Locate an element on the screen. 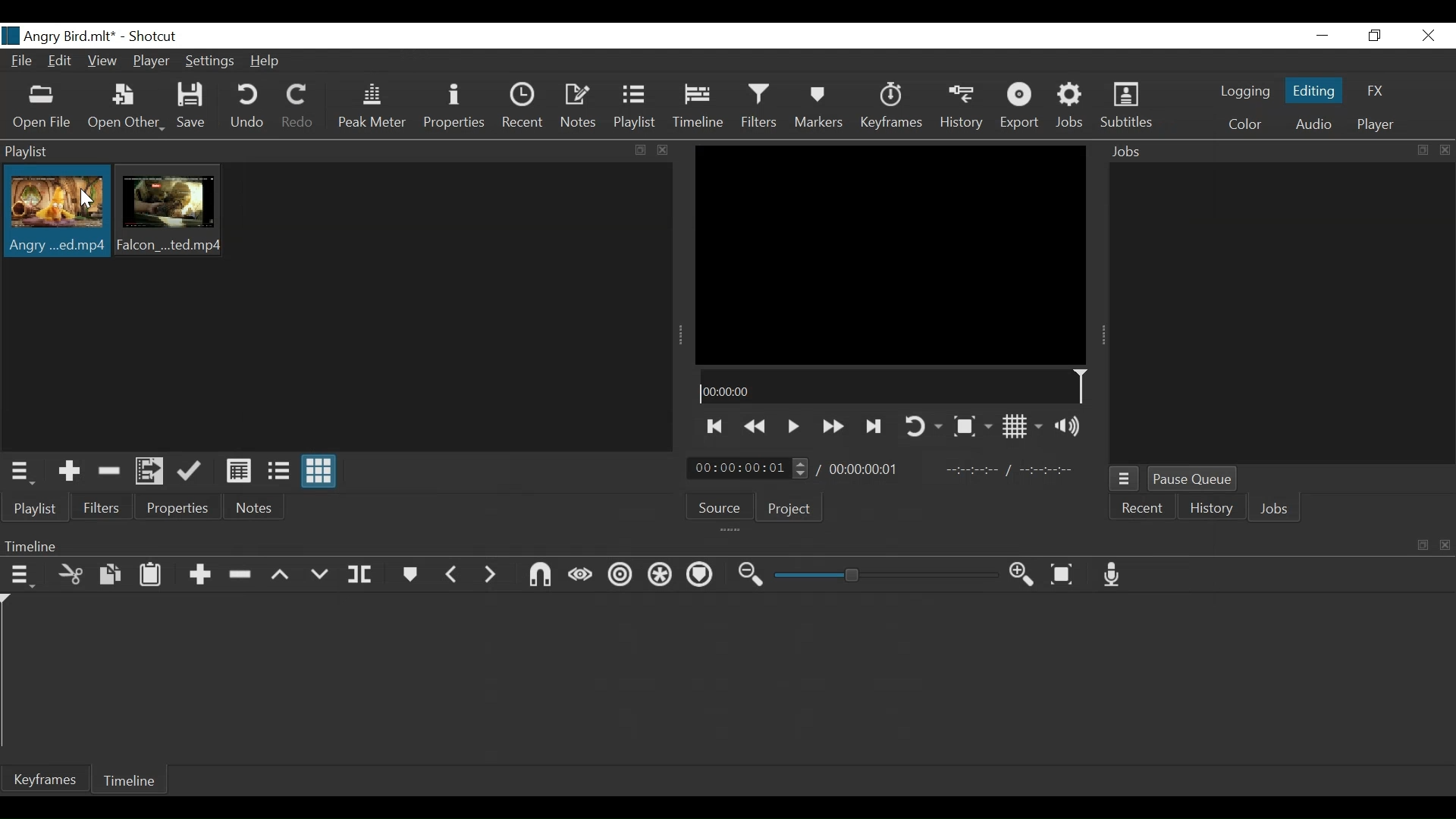 The image size is (1456, 819). Properties is located at coordinates (456, 107).